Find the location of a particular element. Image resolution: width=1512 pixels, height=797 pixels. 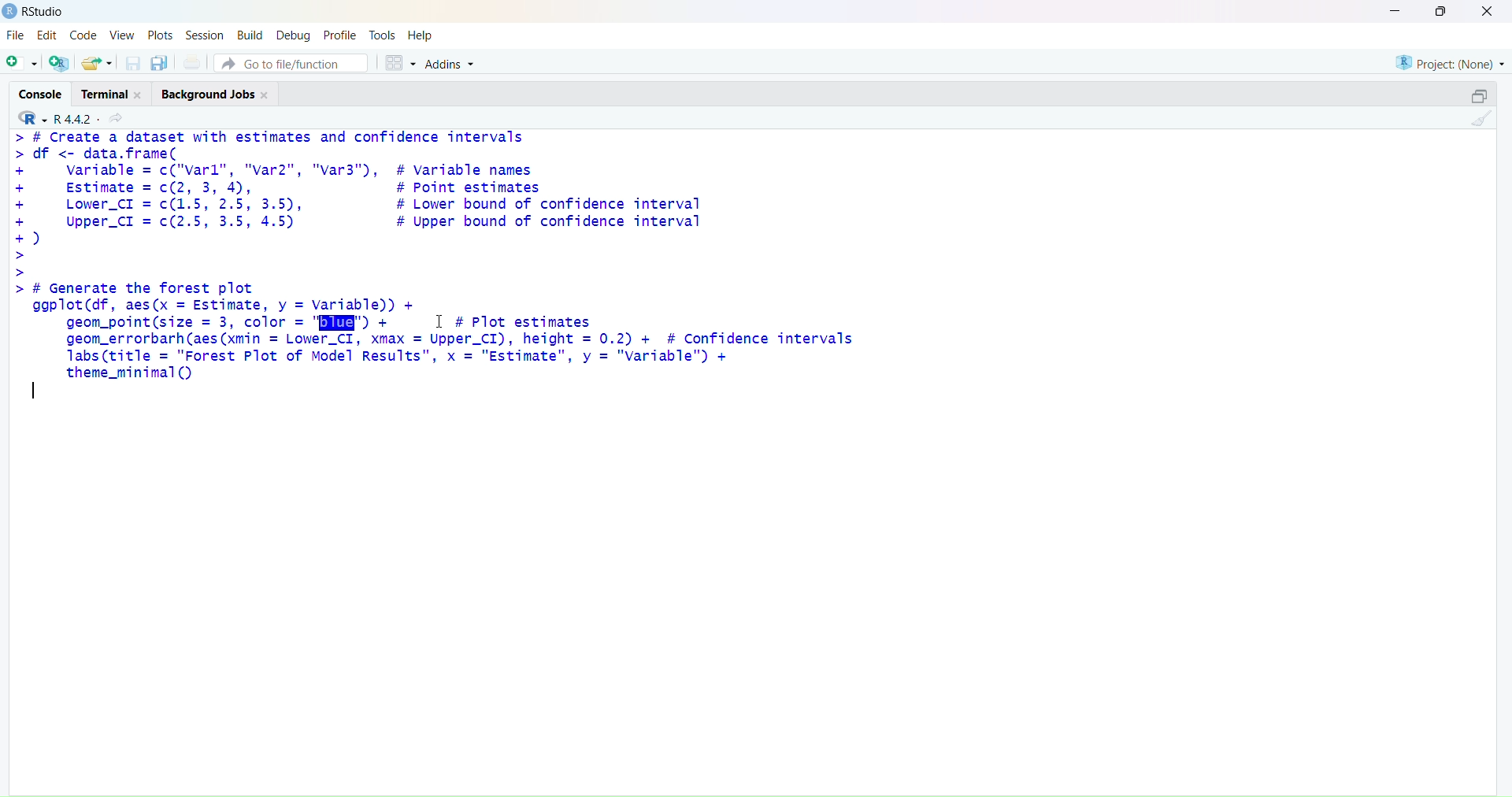

cursor is located at coordinates (439, 323).